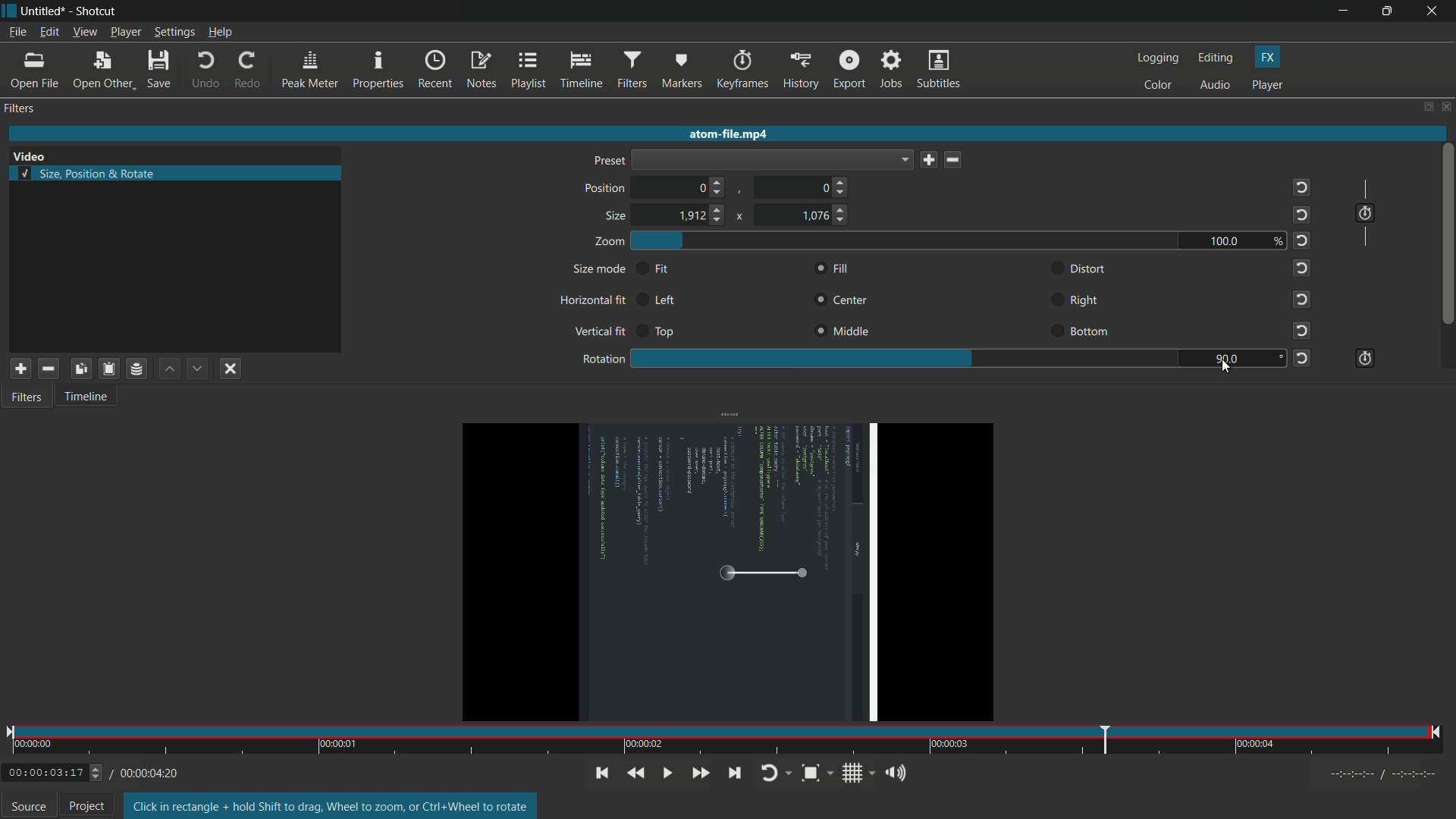  Describe the element at coordinates (20, 108) in the screenshot. I see `filters` at that location.